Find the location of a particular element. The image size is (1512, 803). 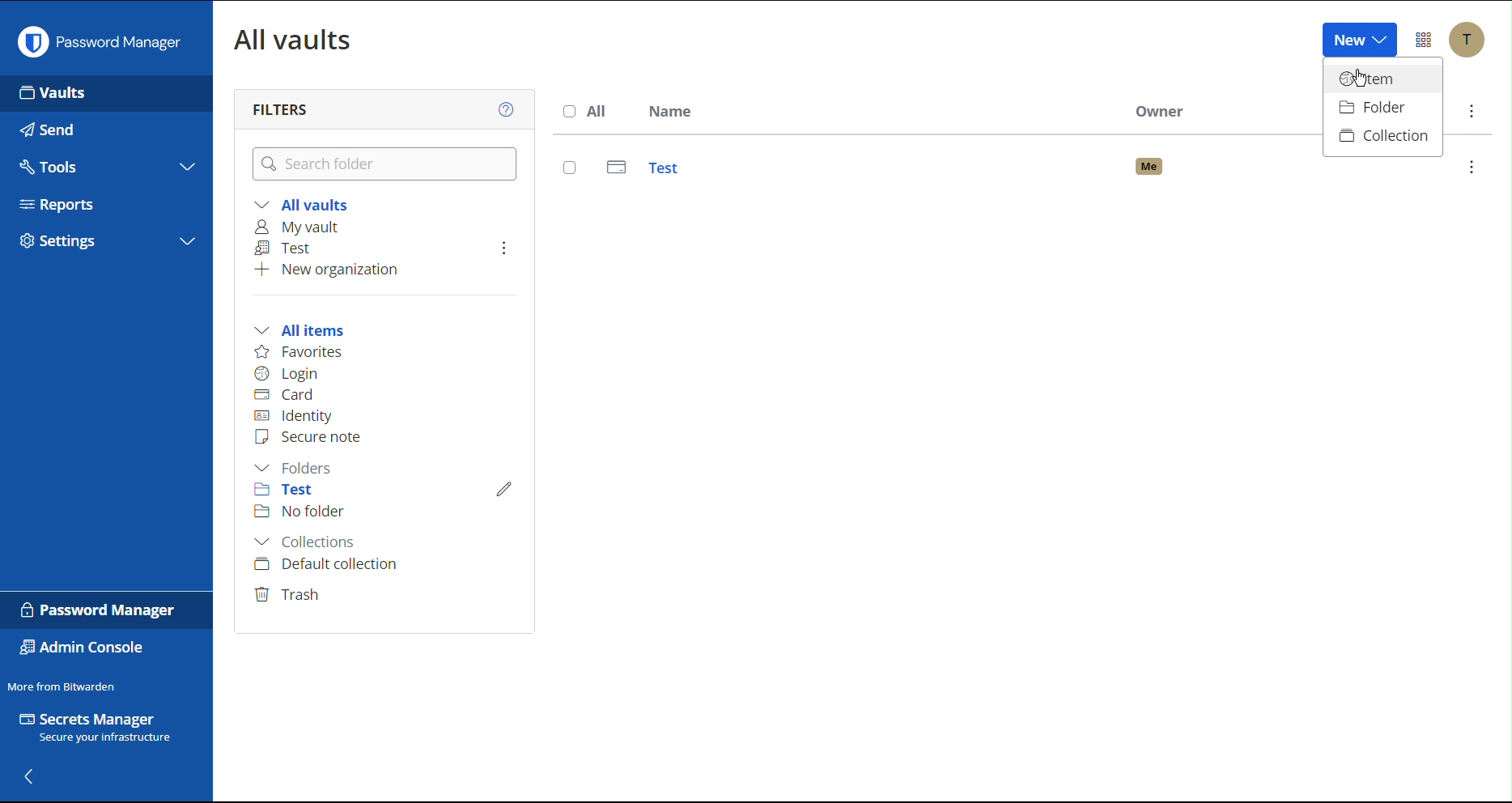

Folder is located at coordinates (1382, 109).